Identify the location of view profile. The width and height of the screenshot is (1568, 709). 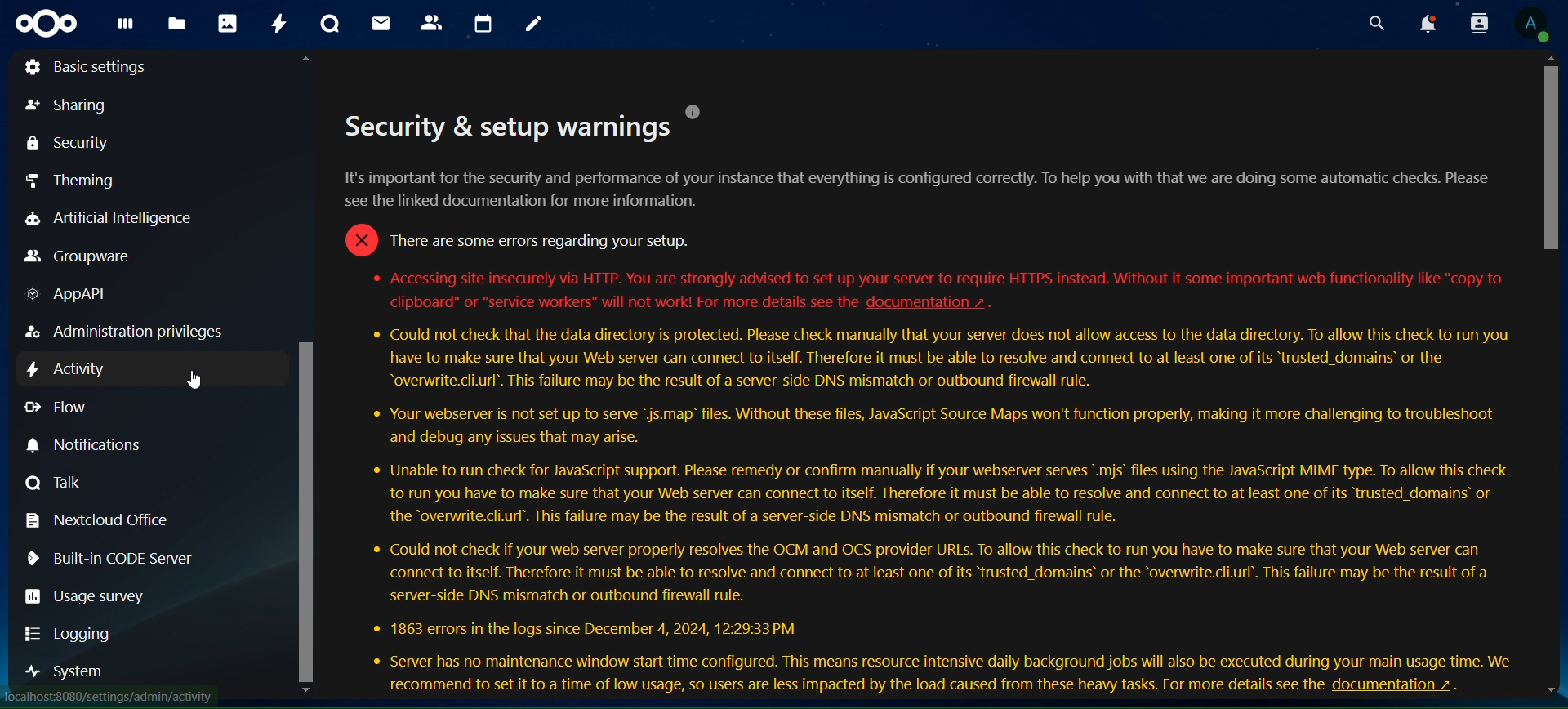
(1530, 25).